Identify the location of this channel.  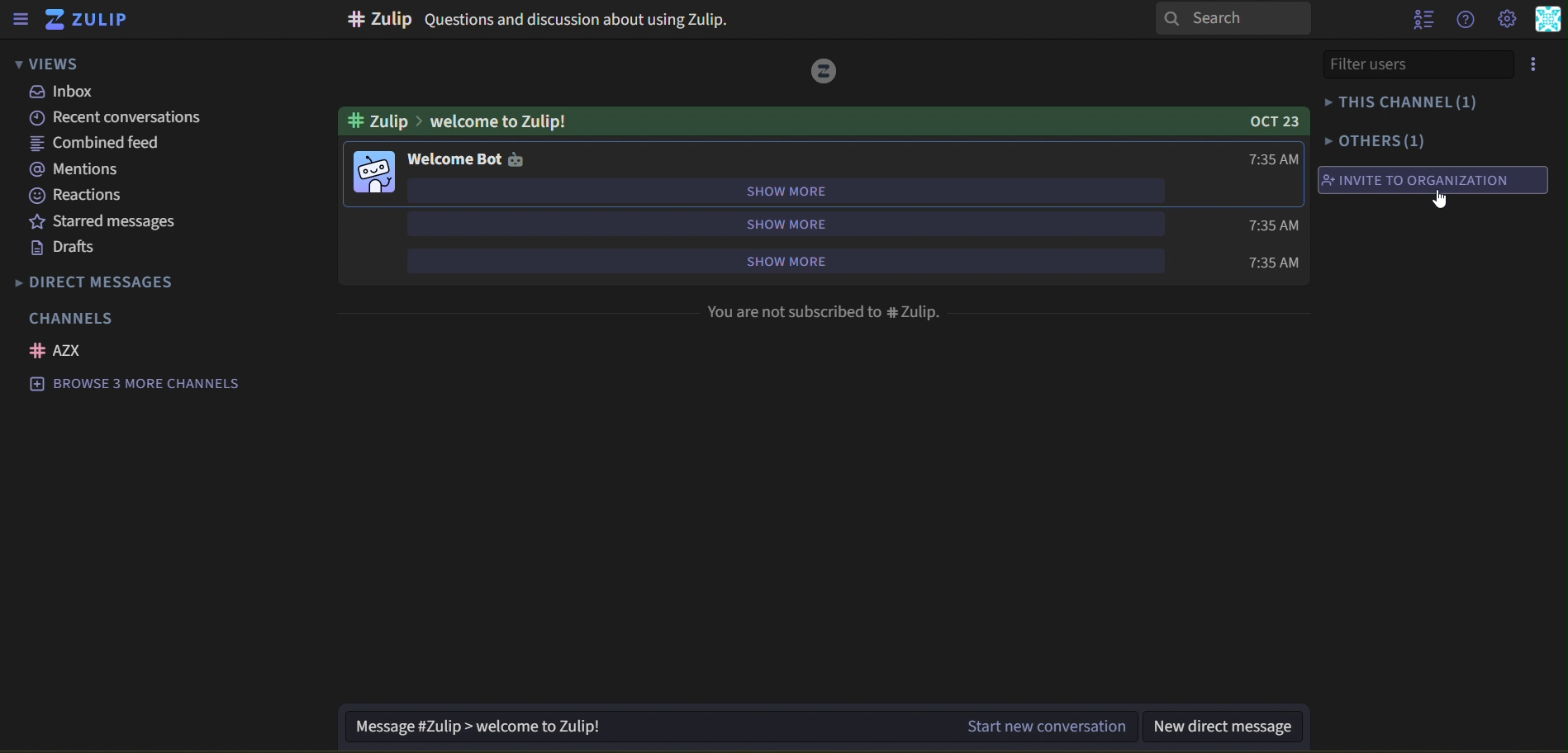
(1398, 101).